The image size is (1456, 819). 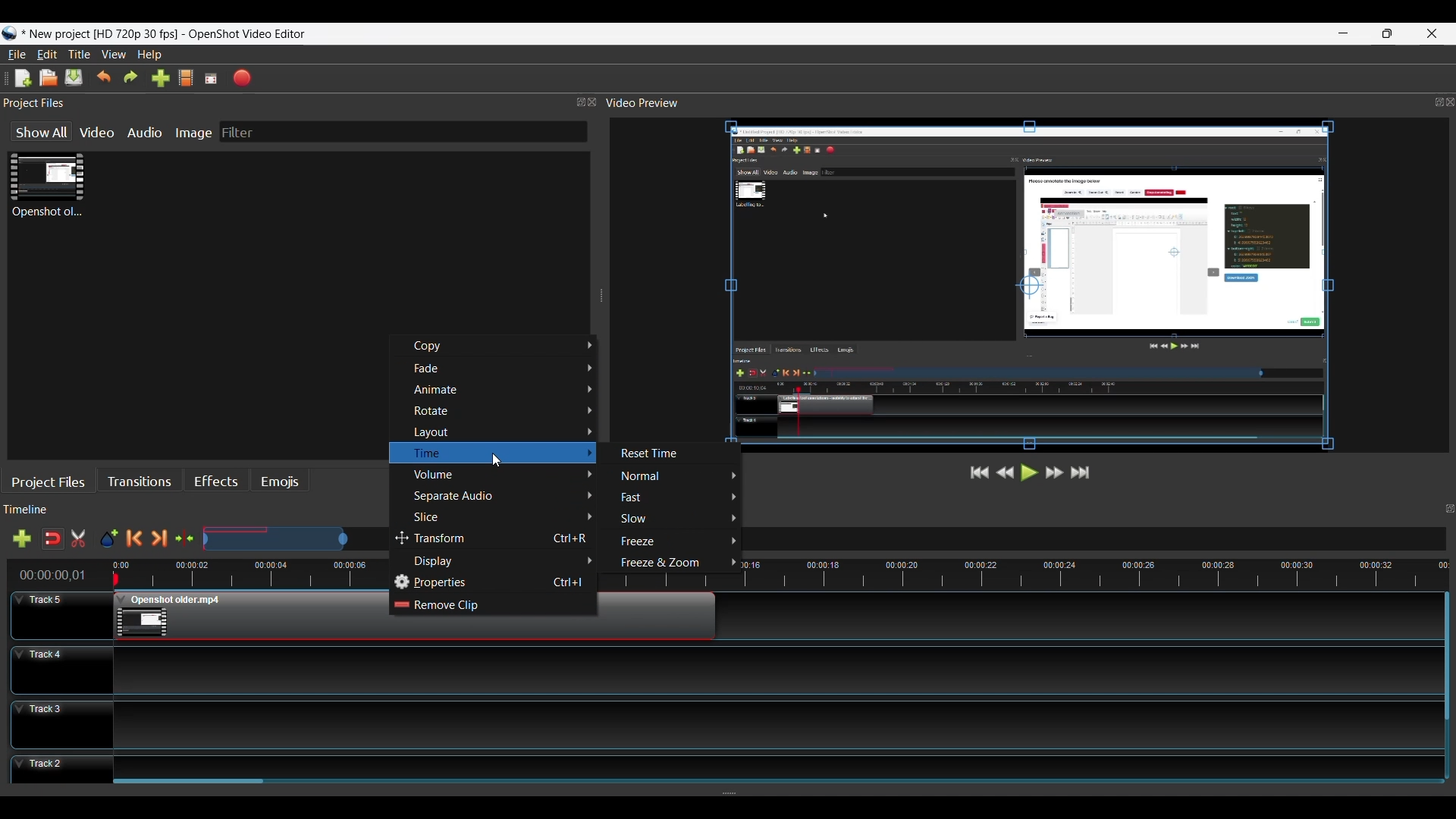 I want to click on Properties, so click(x=494, y=583).